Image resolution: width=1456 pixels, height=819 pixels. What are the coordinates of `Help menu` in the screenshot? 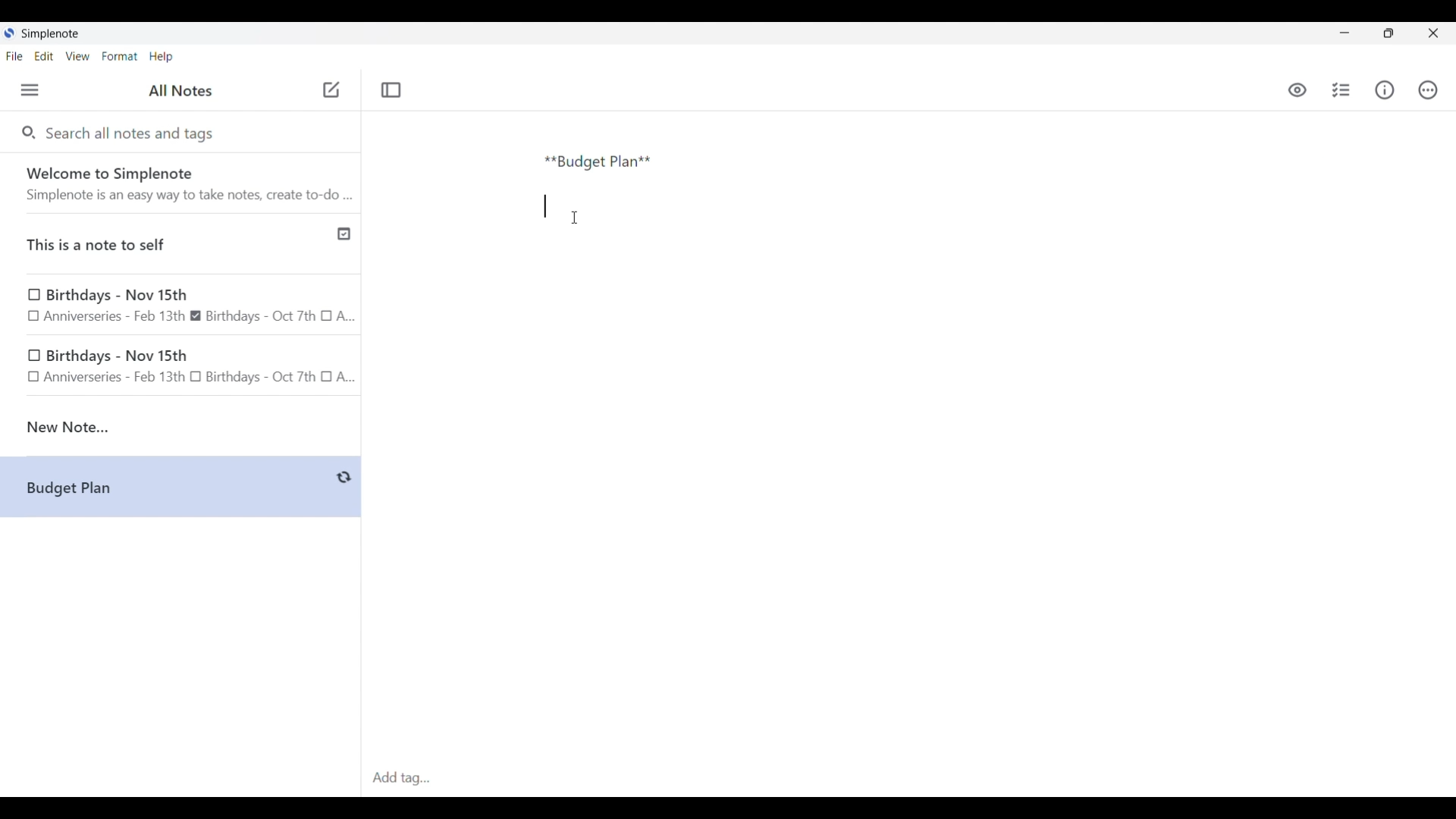 It's located at (161, 56).